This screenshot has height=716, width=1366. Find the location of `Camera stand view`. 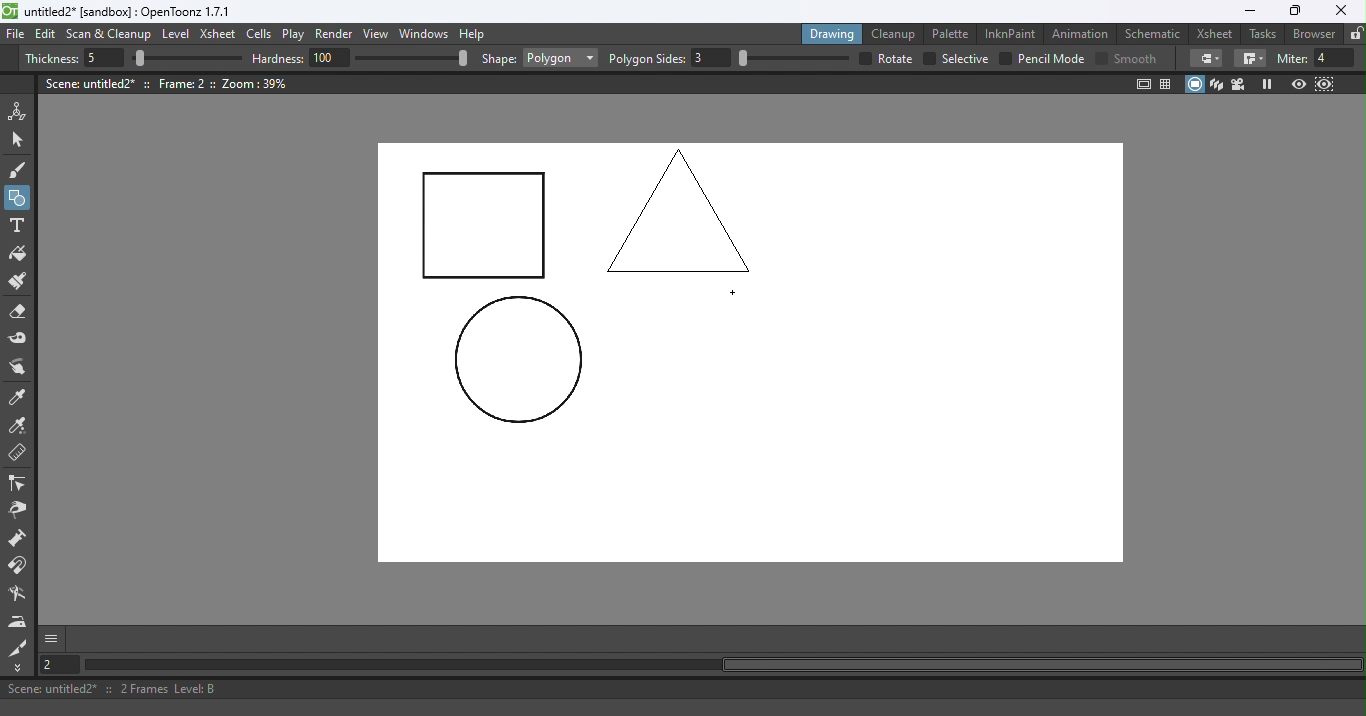

Camera stand view is located at coordinates (1196, 84).